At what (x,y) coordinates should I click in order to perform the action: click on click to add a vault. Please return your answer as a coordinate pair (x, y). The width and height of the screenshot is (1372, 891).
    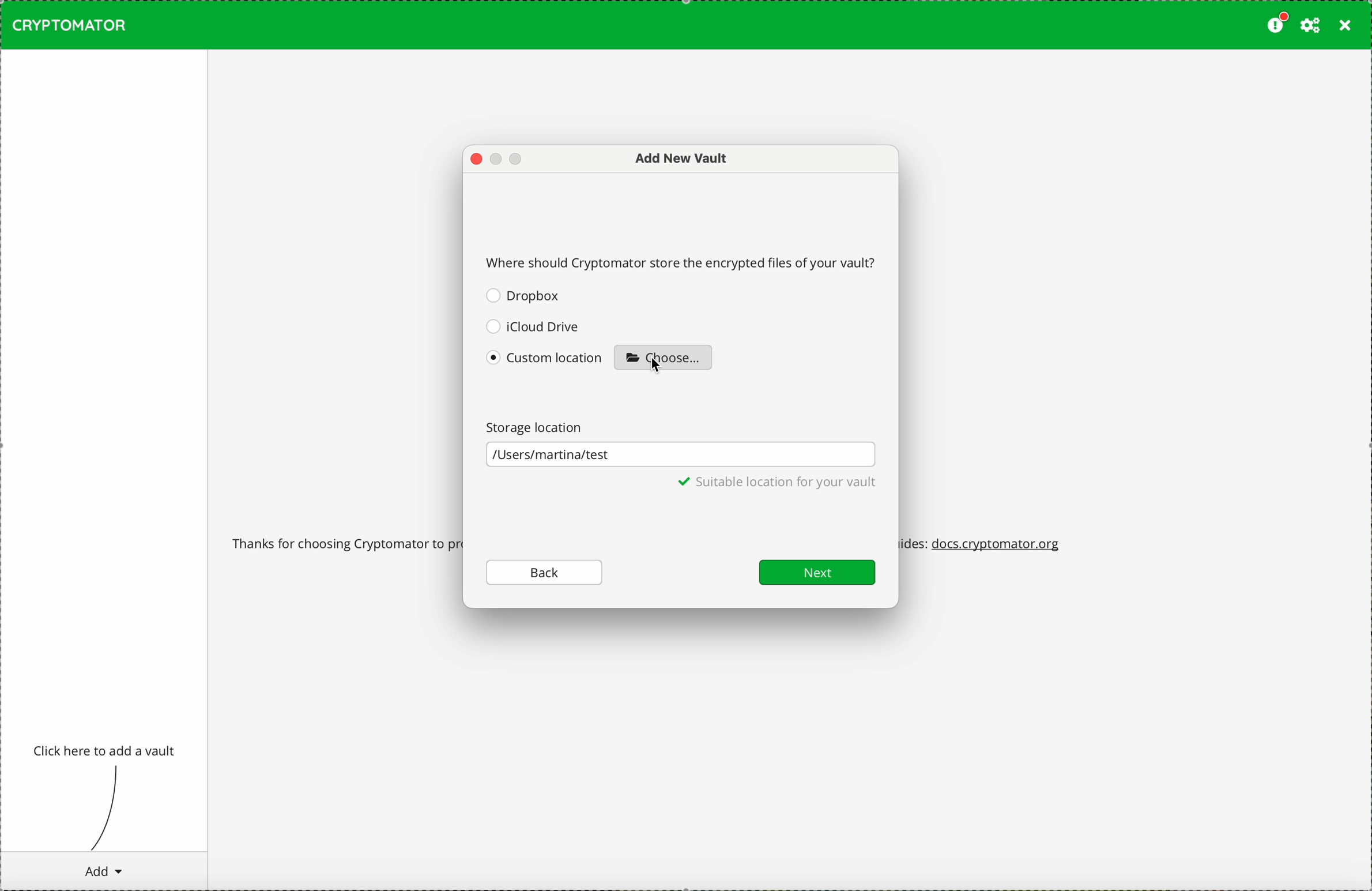
    Looking at the image, I should click on (106, 751).